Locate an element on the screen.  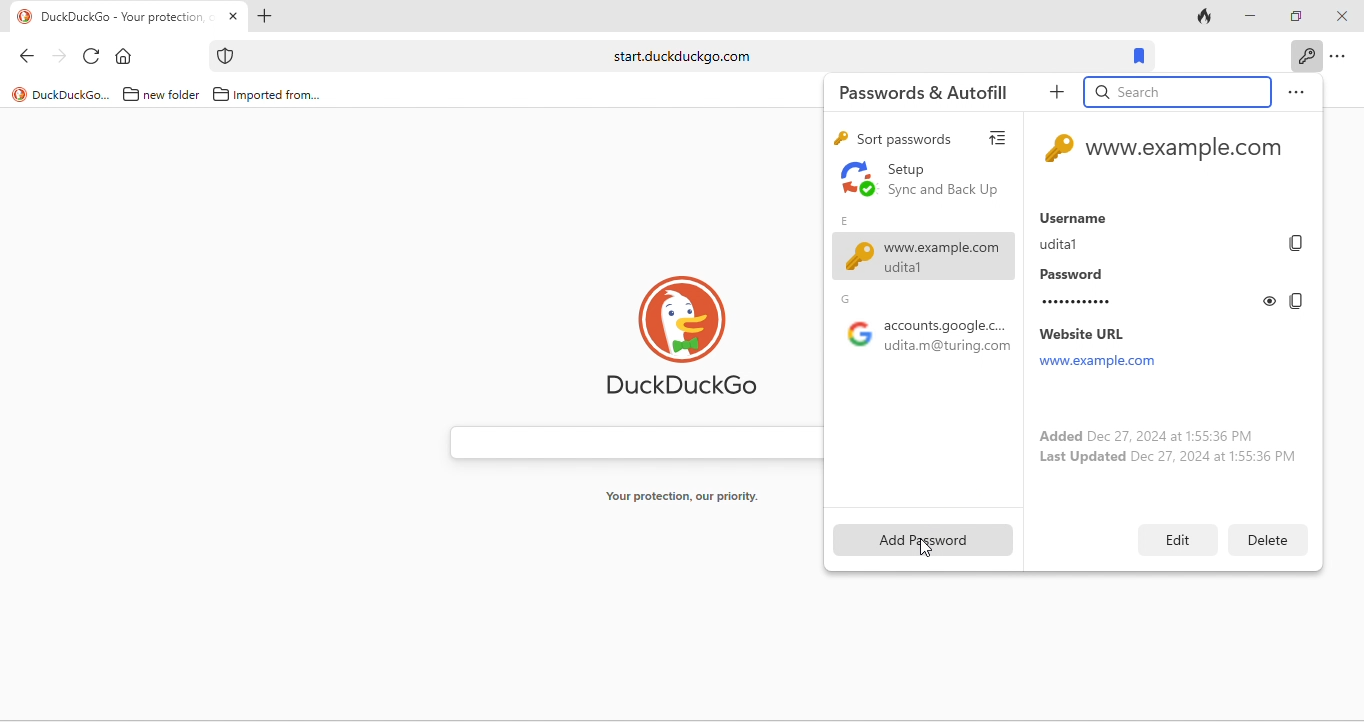
duckduckgo... is located at coordinates (72, 96).